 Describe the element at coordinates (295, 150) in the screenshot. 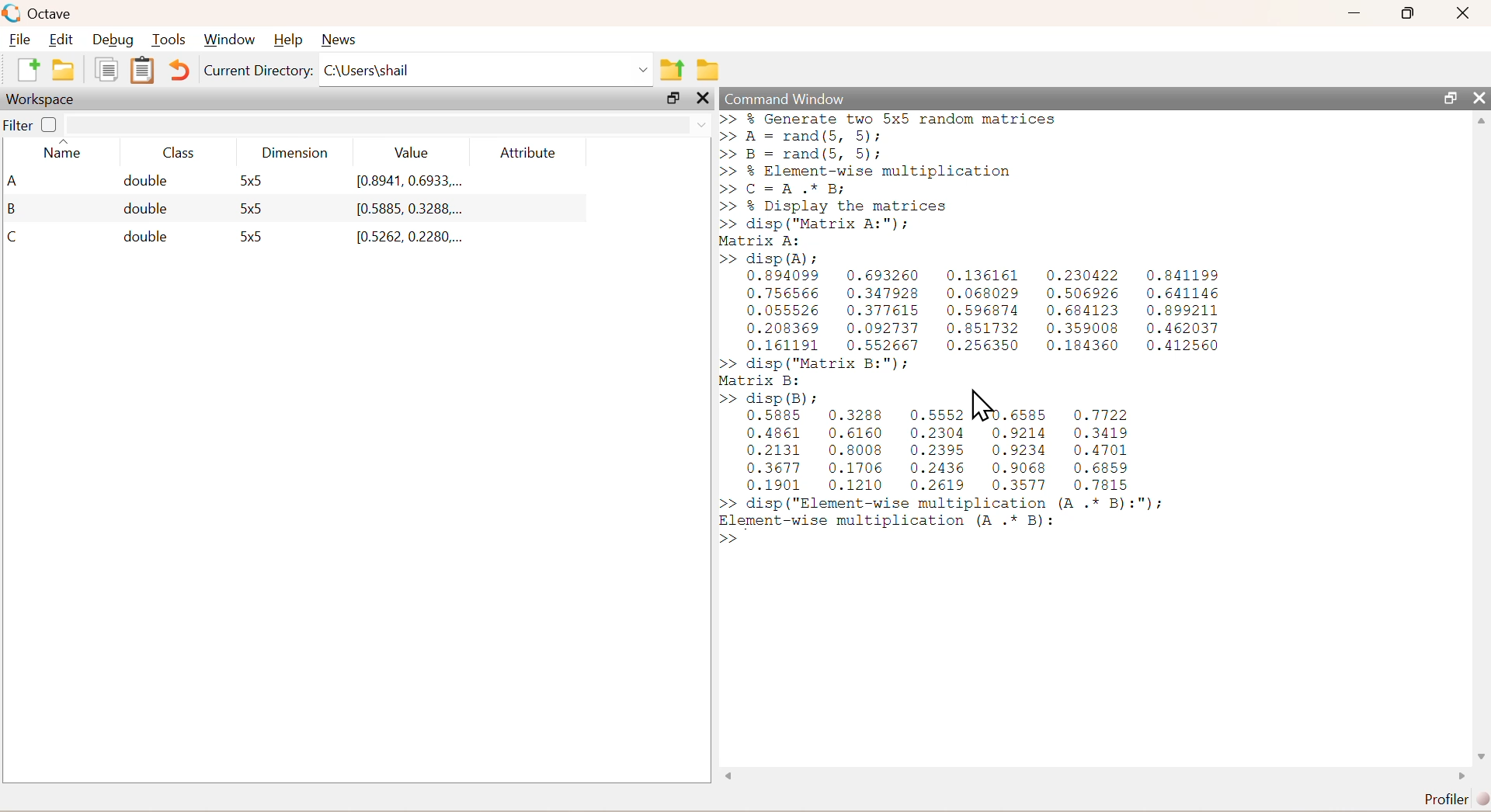

I see `DImension` at that location.